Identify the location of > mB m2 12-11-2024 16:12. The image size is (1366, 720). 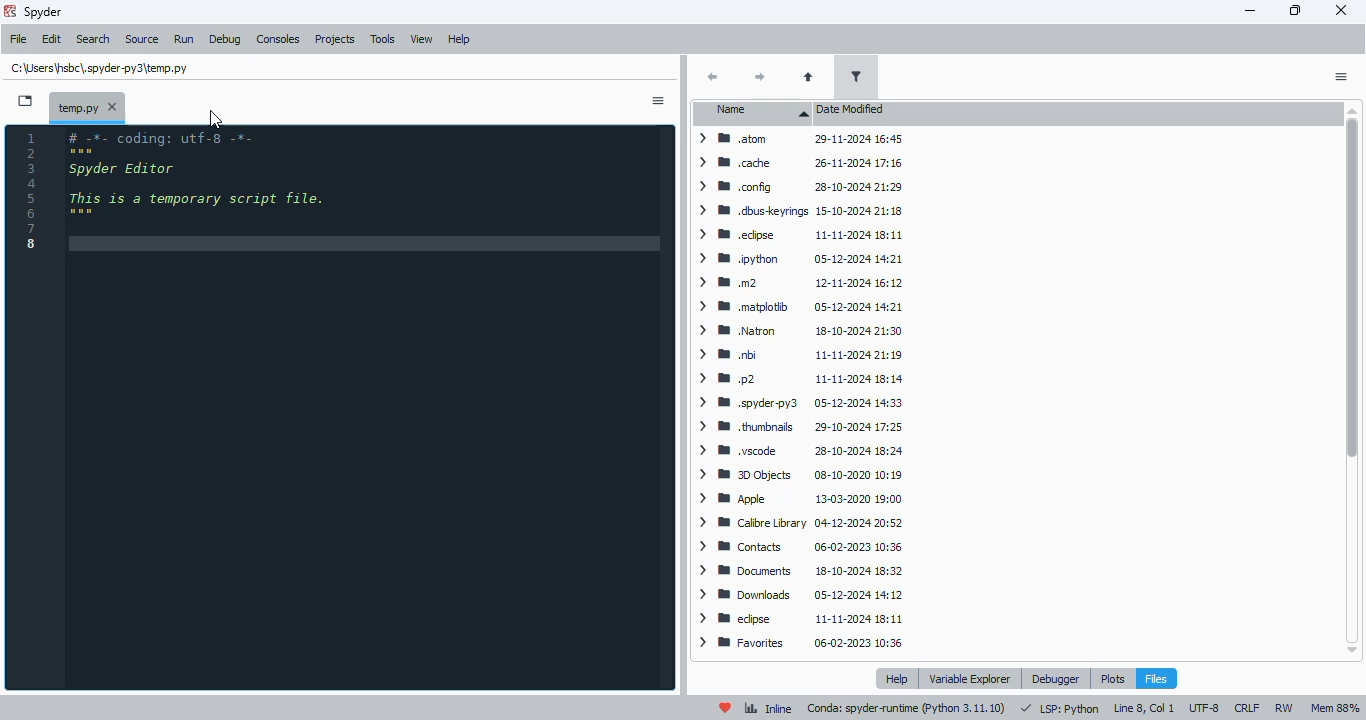
(796, 284).